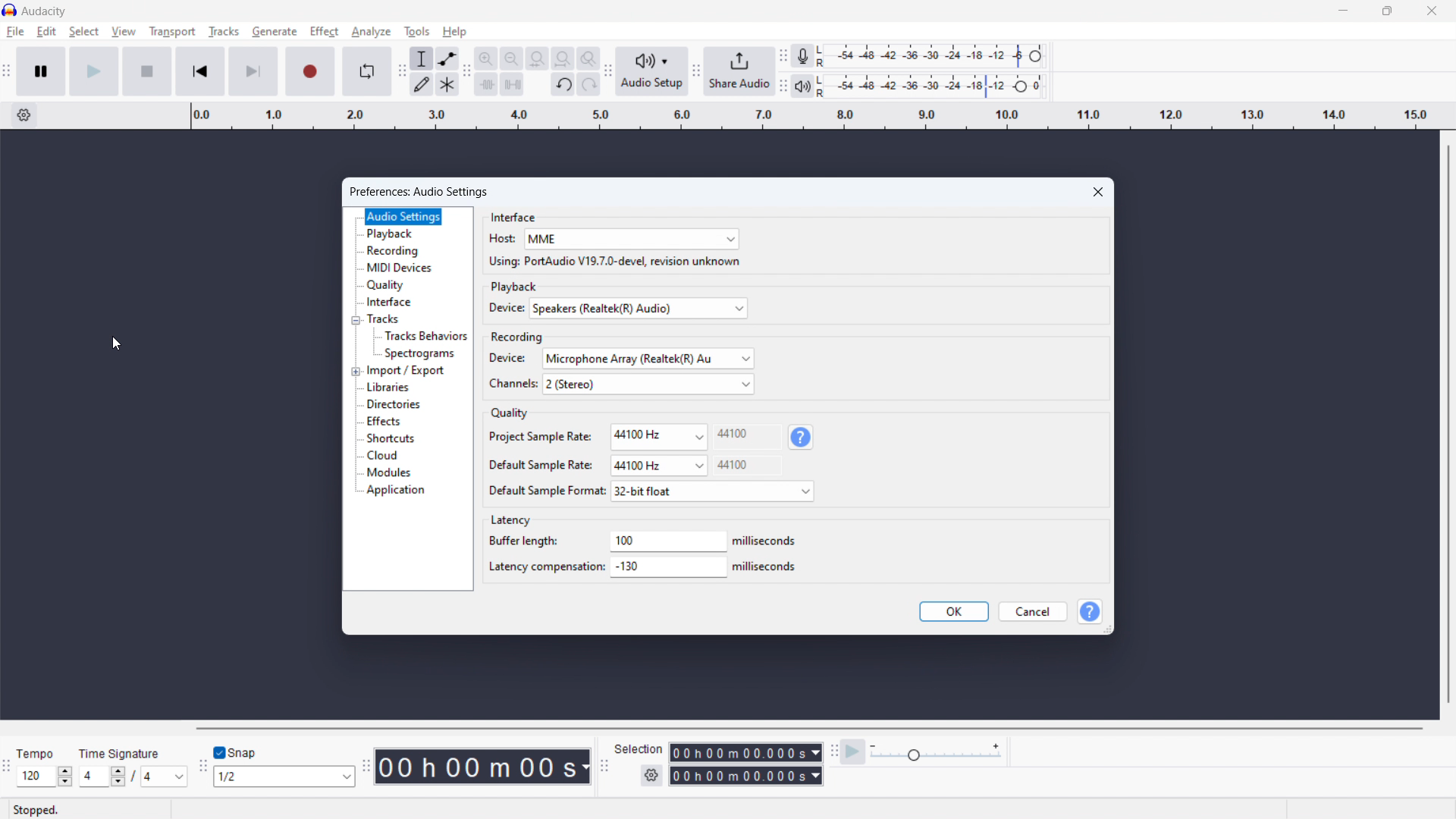 This screenshot has height=819, width=1456. What do you see at coordinates (394, 250) in the screenshot?
I see `recording` at bounding box center [394, 250].